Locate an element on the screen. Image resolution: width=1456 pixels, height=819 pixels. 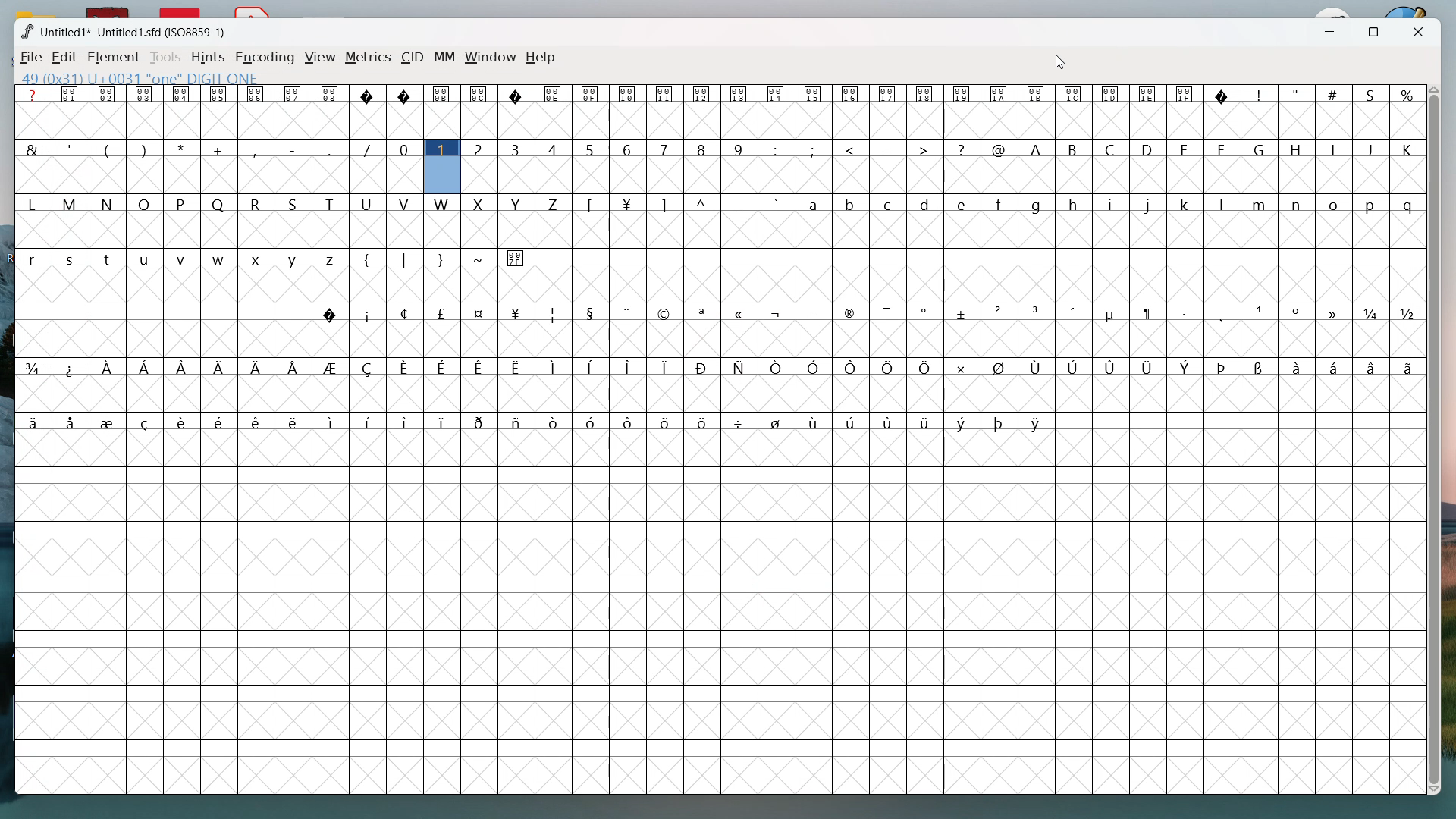
} is located at coordinates (441, 260).